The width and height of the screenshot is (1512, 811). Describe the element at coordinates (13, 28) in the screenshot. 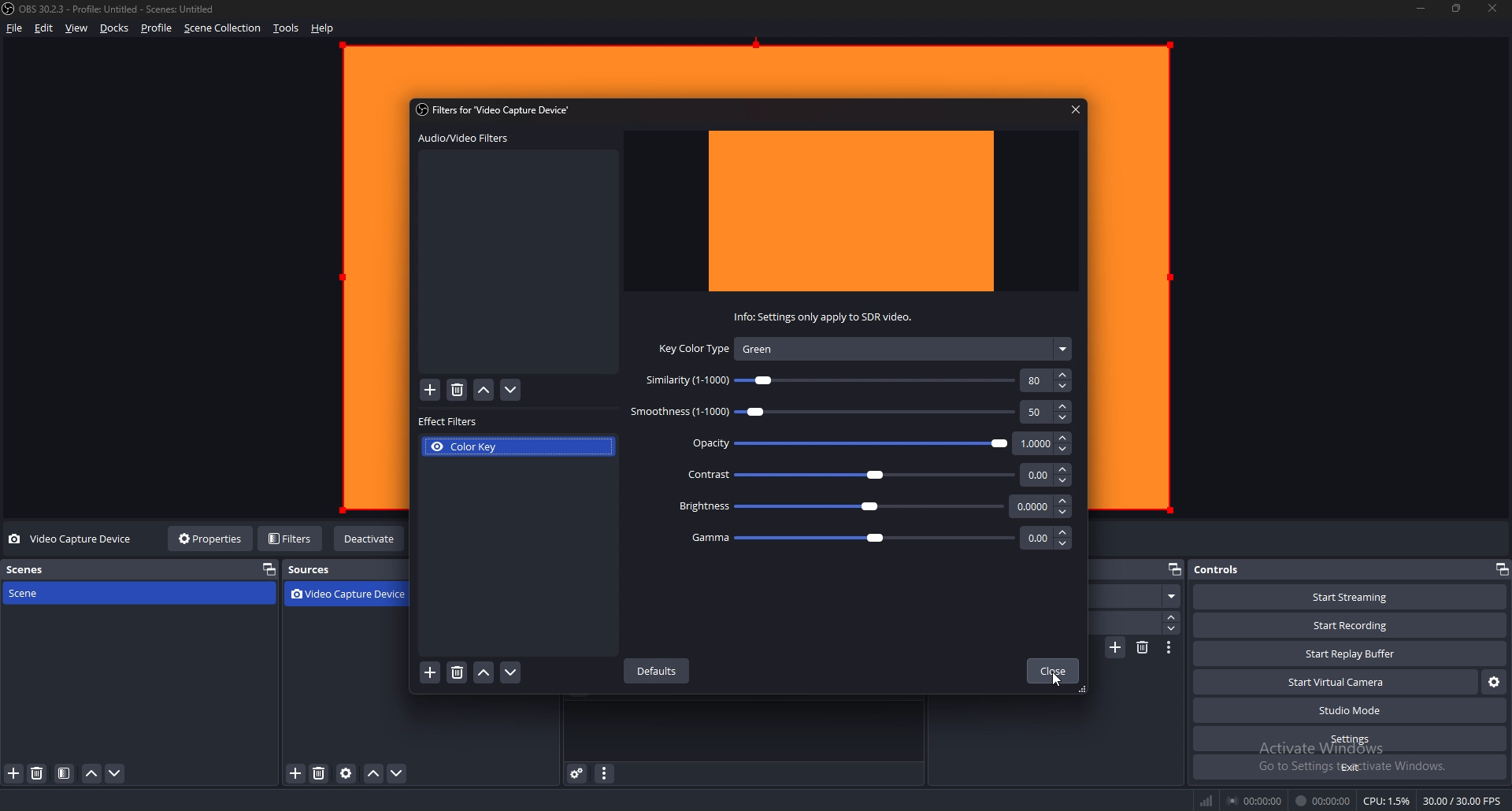

I see `file` at that location.